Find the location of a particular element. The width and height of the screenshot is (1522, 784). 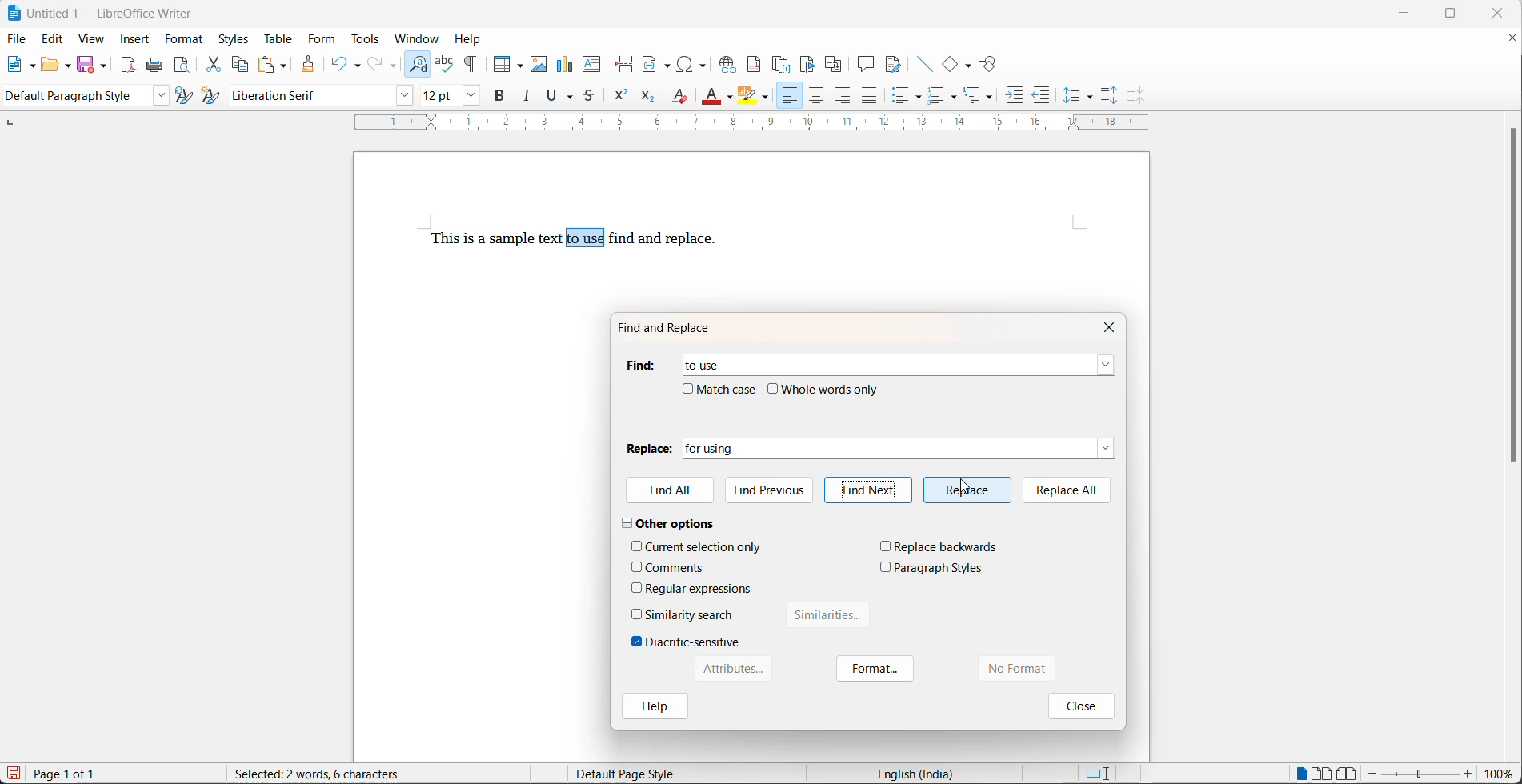

find and replace dialog box title is located at coordinates (673, 328).